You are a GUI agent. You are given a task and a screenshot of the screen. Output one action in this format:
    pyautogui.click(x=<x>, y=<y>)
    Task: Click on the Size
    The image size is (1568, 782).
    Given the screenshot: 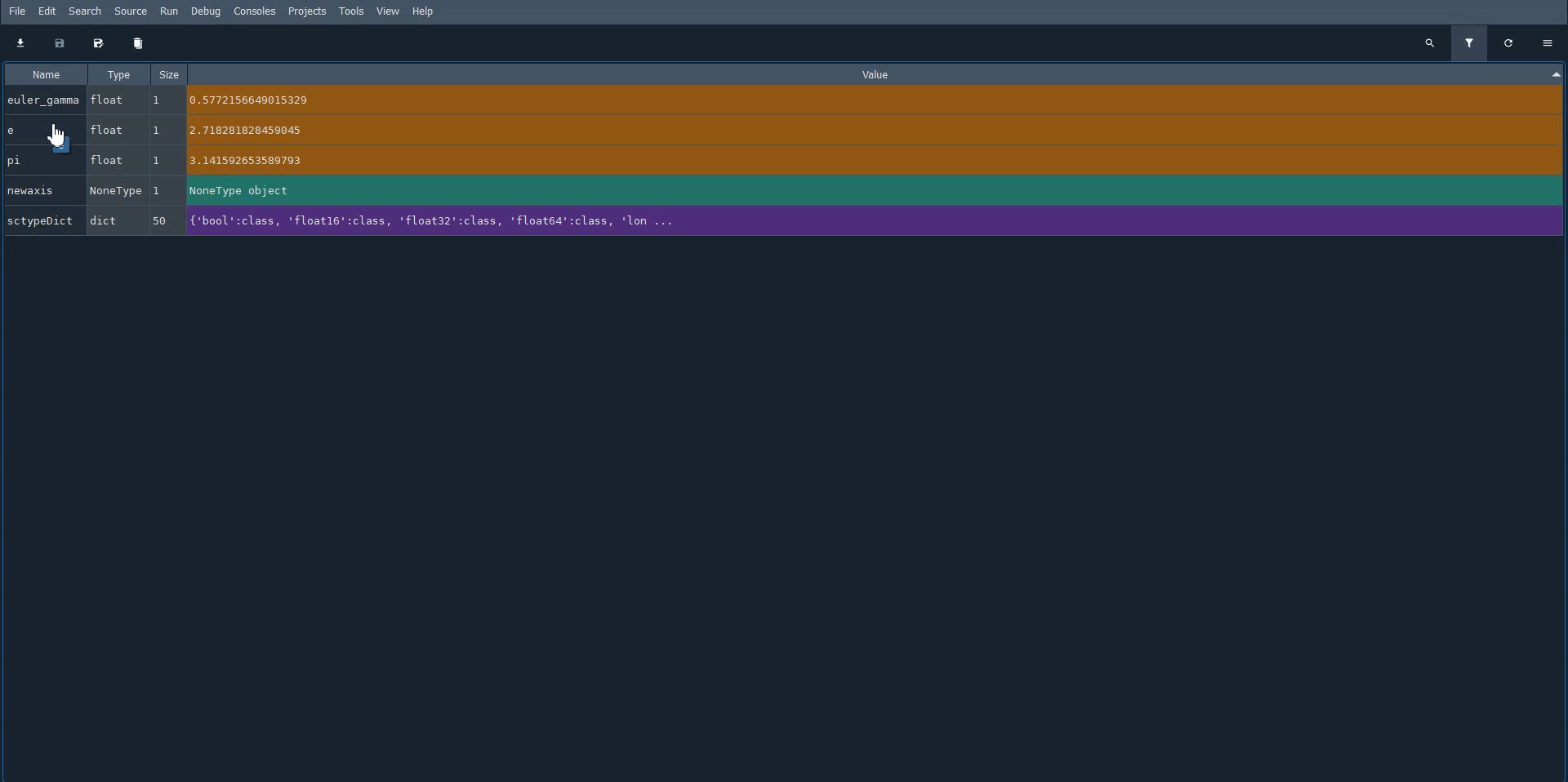 What is the action you would take?
    pyautogui.click(x=171, y=74)
    